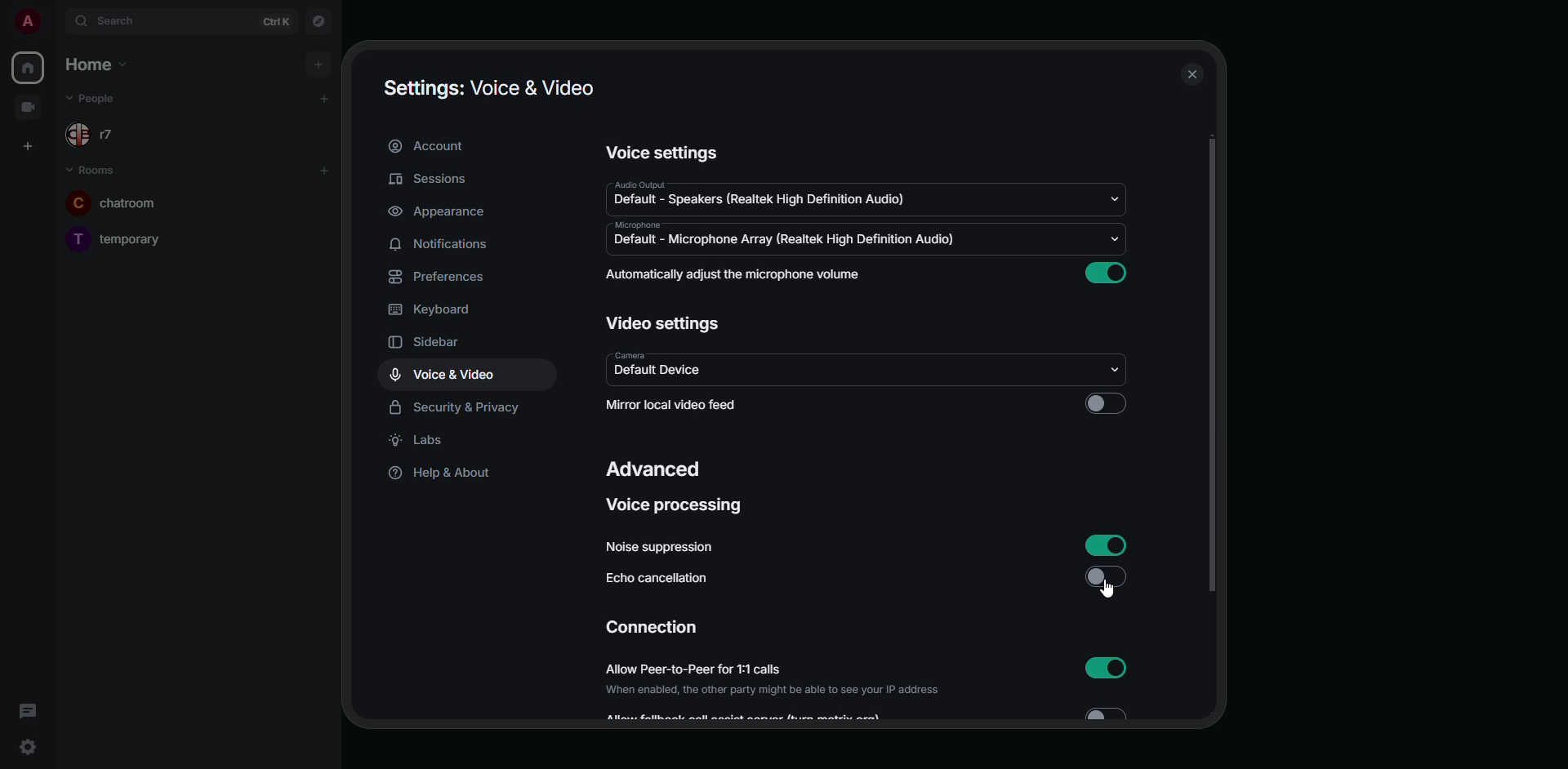 This screenshot has width=1568, height=769. I want to click on enabled, so click(1108, 667).